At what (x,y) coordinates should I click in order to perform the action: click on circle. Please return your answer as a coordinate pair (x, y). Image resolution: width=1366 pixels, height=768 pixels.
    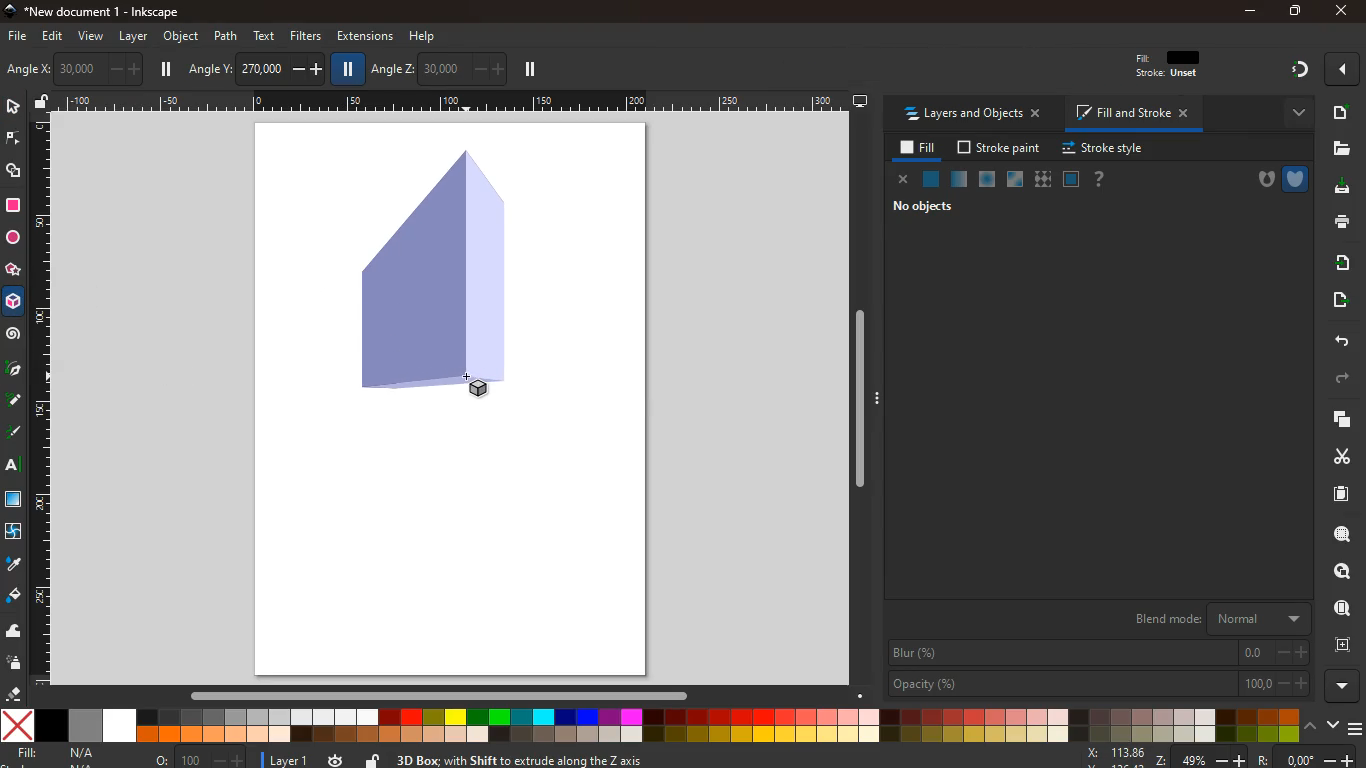
    Looking at the image, I should click on (12, 237).